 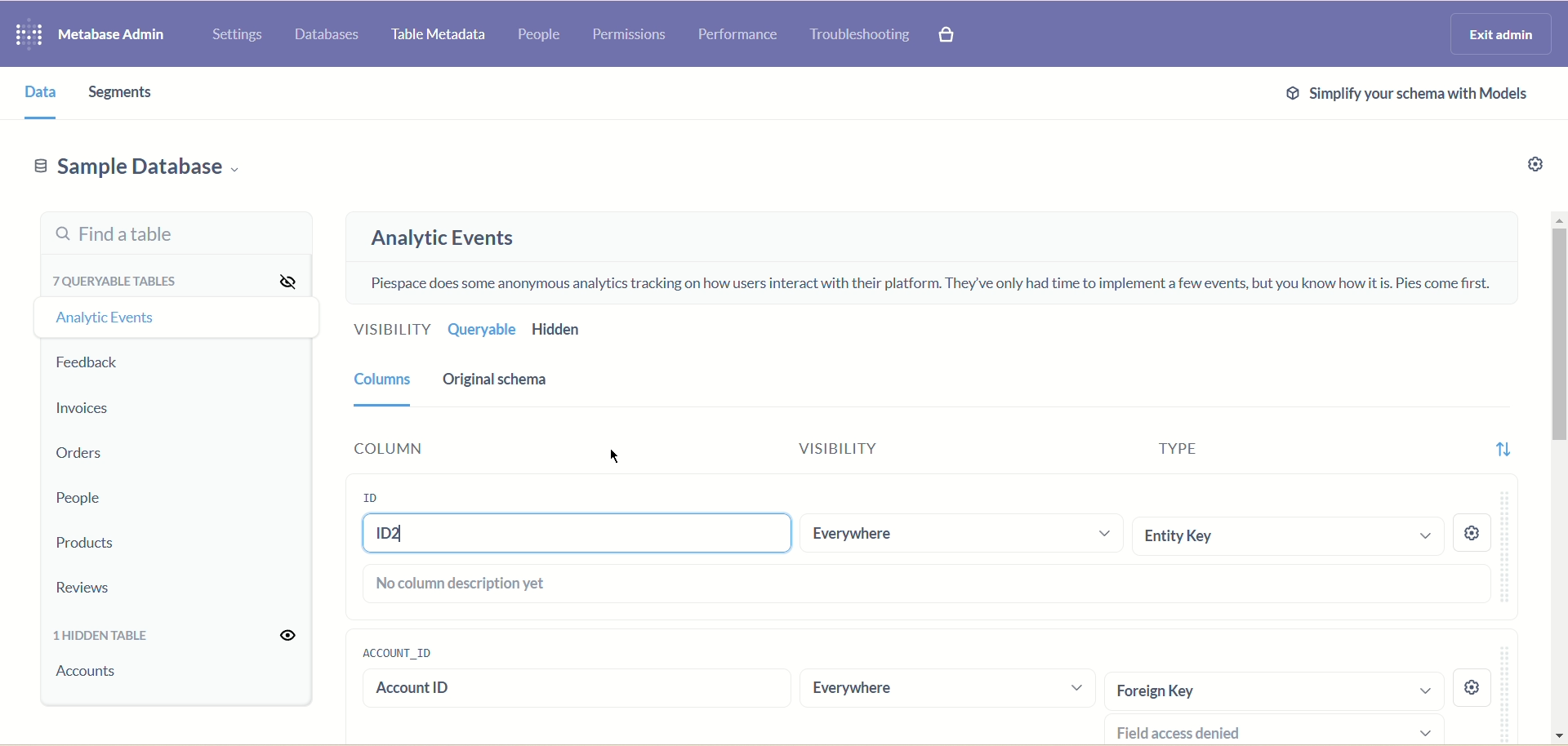 What do you see at coordinates (440, 35) in the screenshot?
I see `Table metadata` at bounding box center [440, 35].